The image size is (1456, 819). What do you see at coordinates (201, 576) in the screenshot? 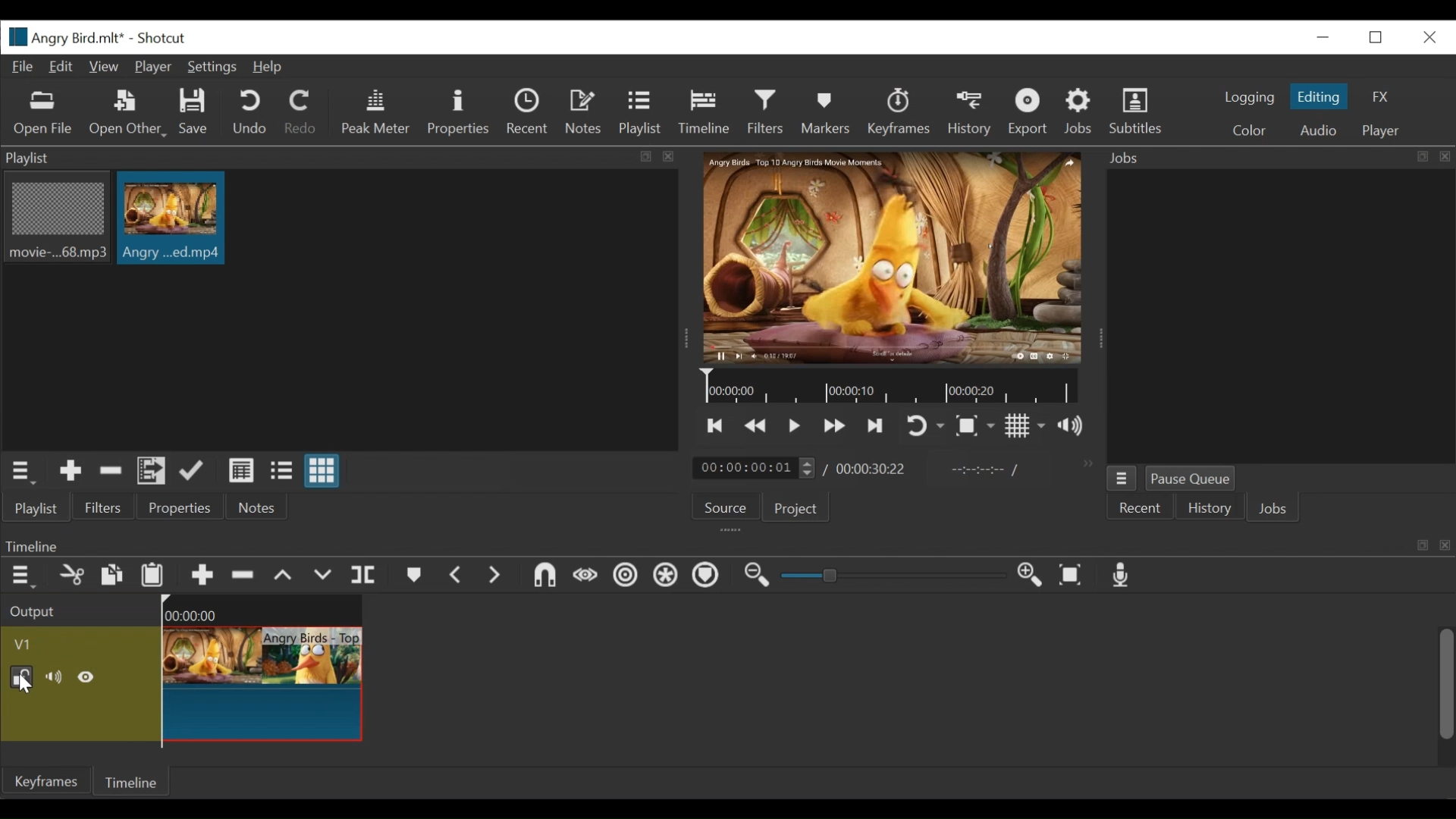
I see `Append` at bounding box center [201, 576].